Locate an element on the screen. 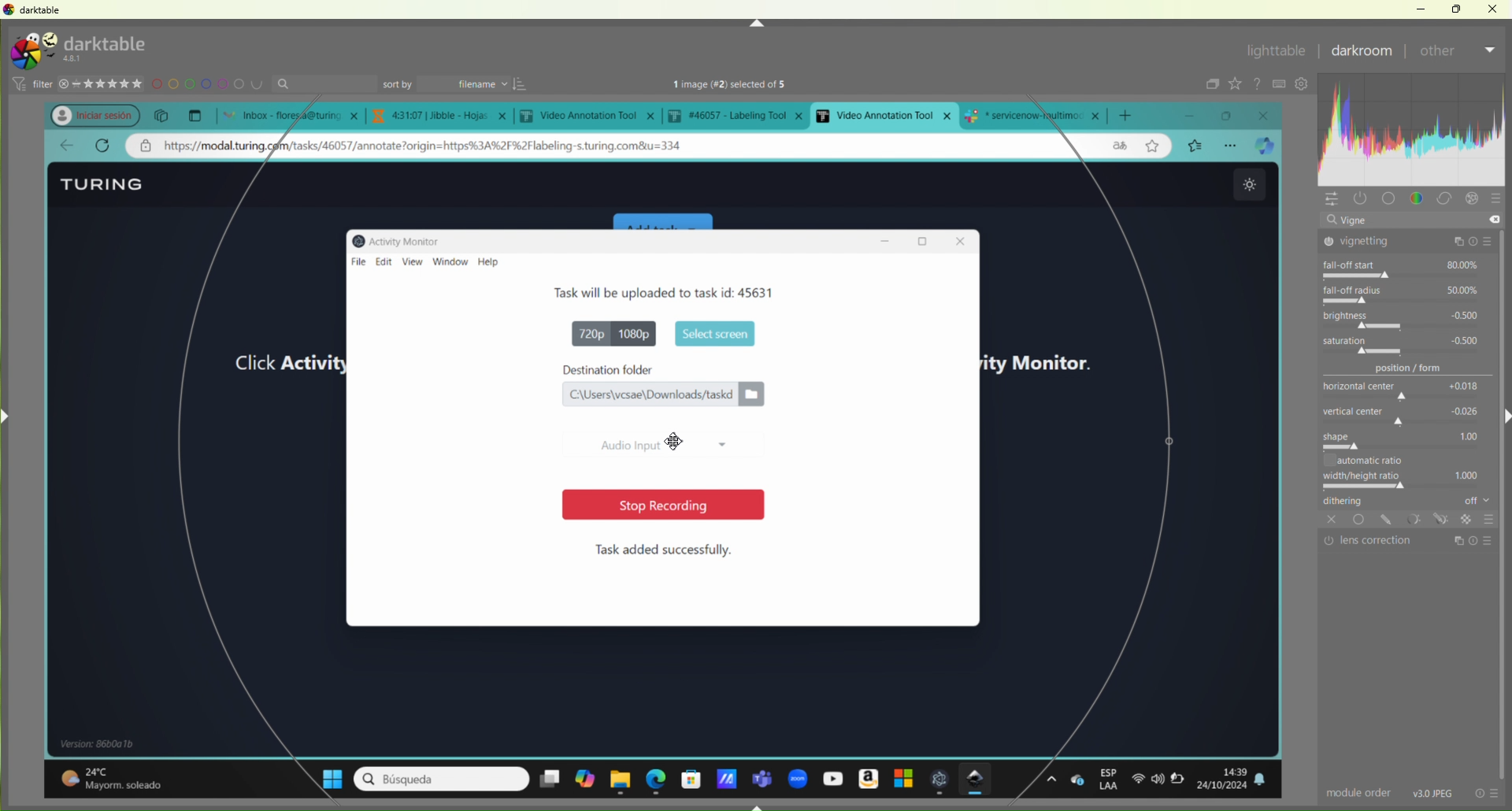 This screenshot has width=1512, height=811. theme change is located at coordinates (1247, 185).